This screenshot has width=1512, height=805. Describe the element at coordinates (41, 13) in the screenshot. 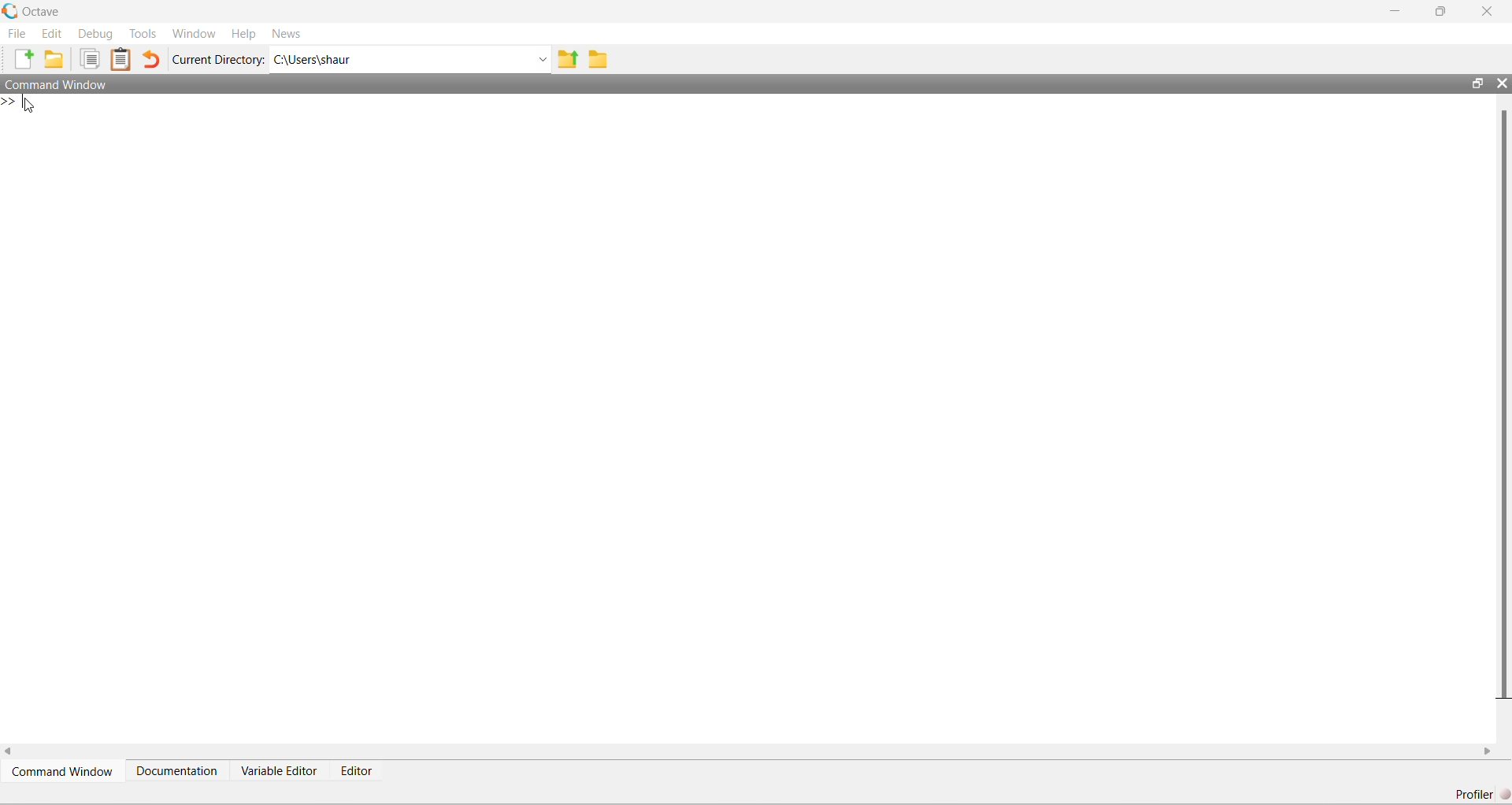

I see `Octave` at that location.